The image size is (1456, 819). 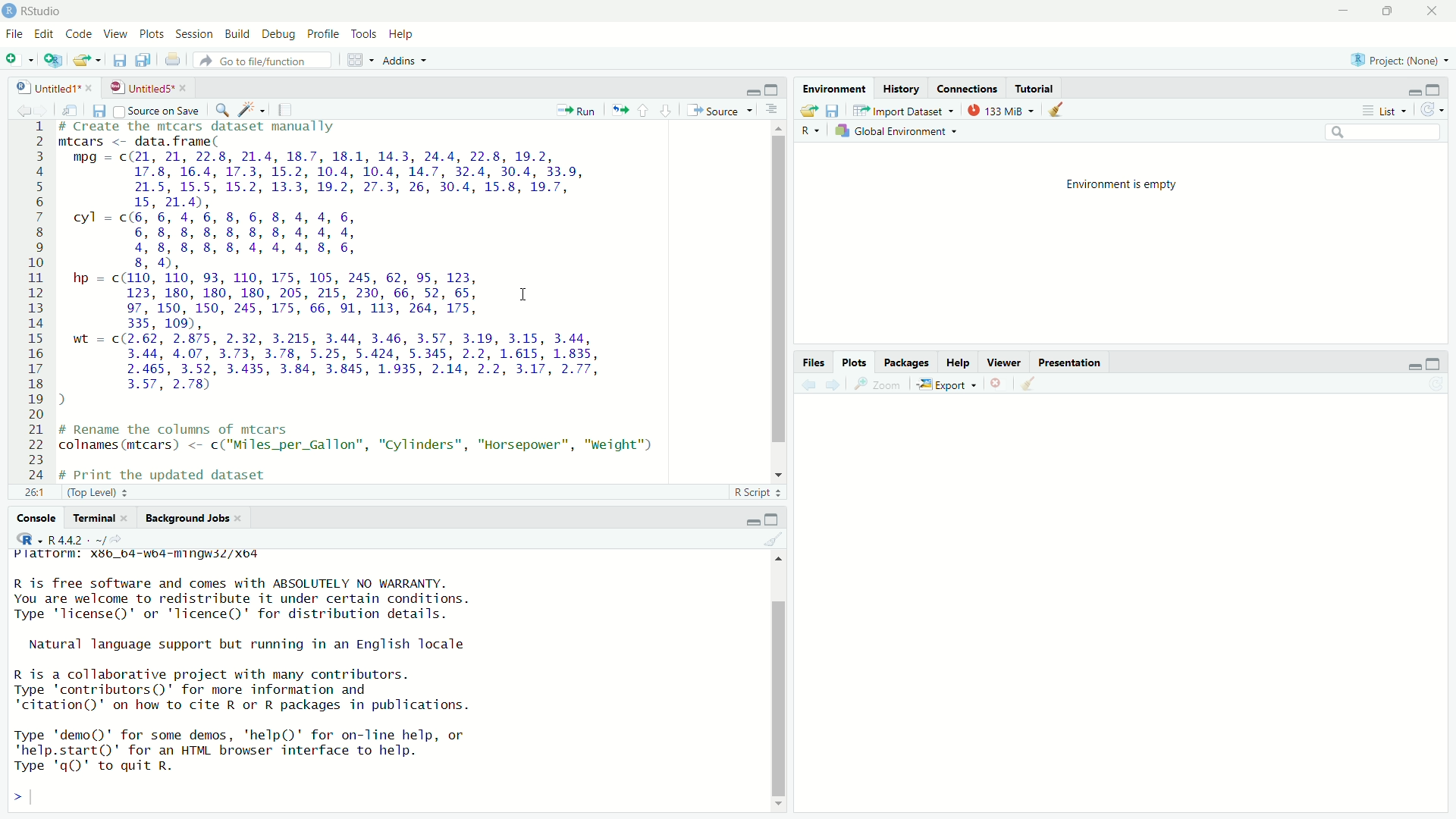 I want to click on 133MiB ~, so click(x=1000, y=111).